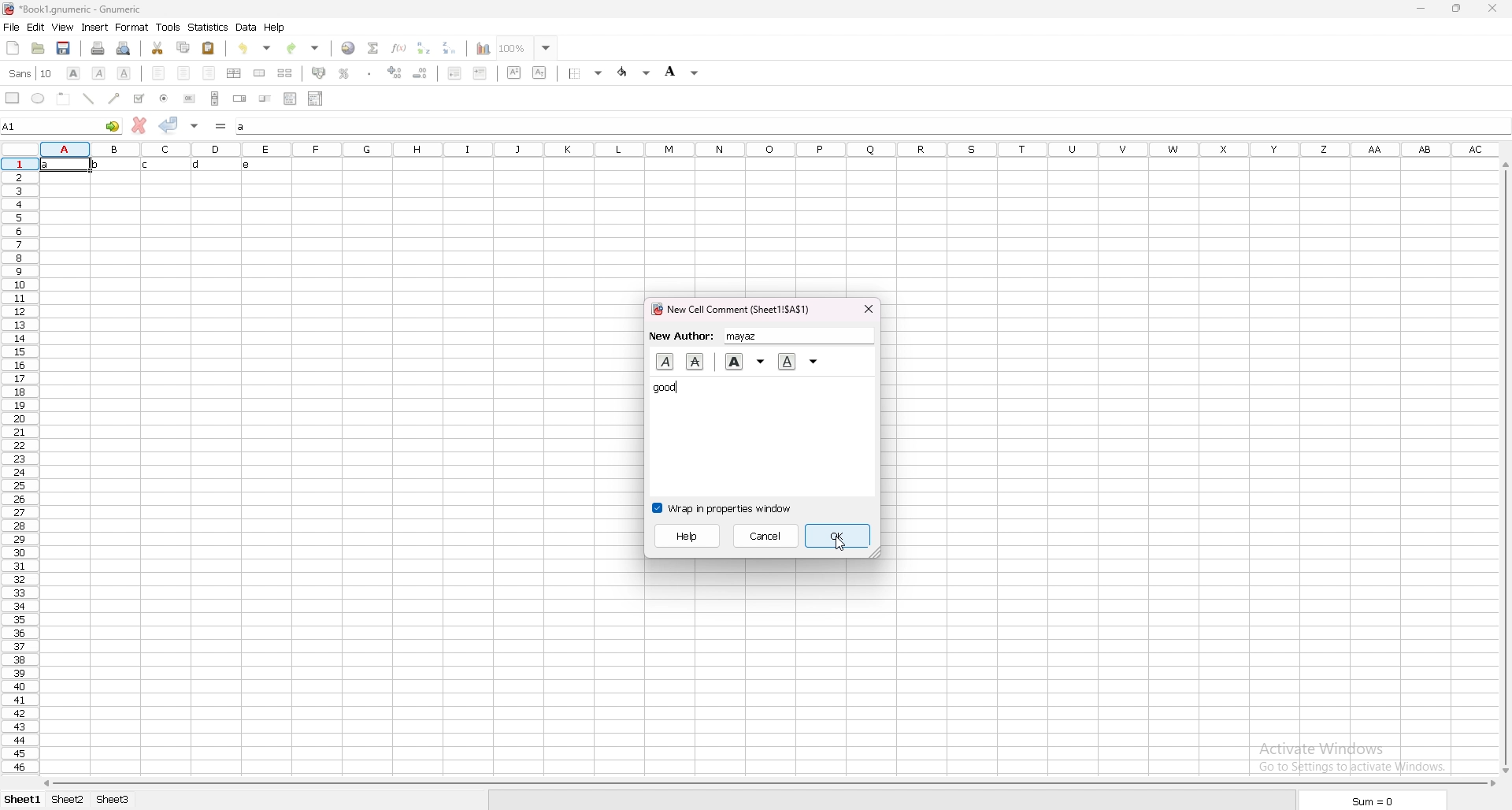 The width and height of the screenshot is (1512, 810). Describe the element at coordinates (770, 150) in the screenshot. I see `column` at that location.